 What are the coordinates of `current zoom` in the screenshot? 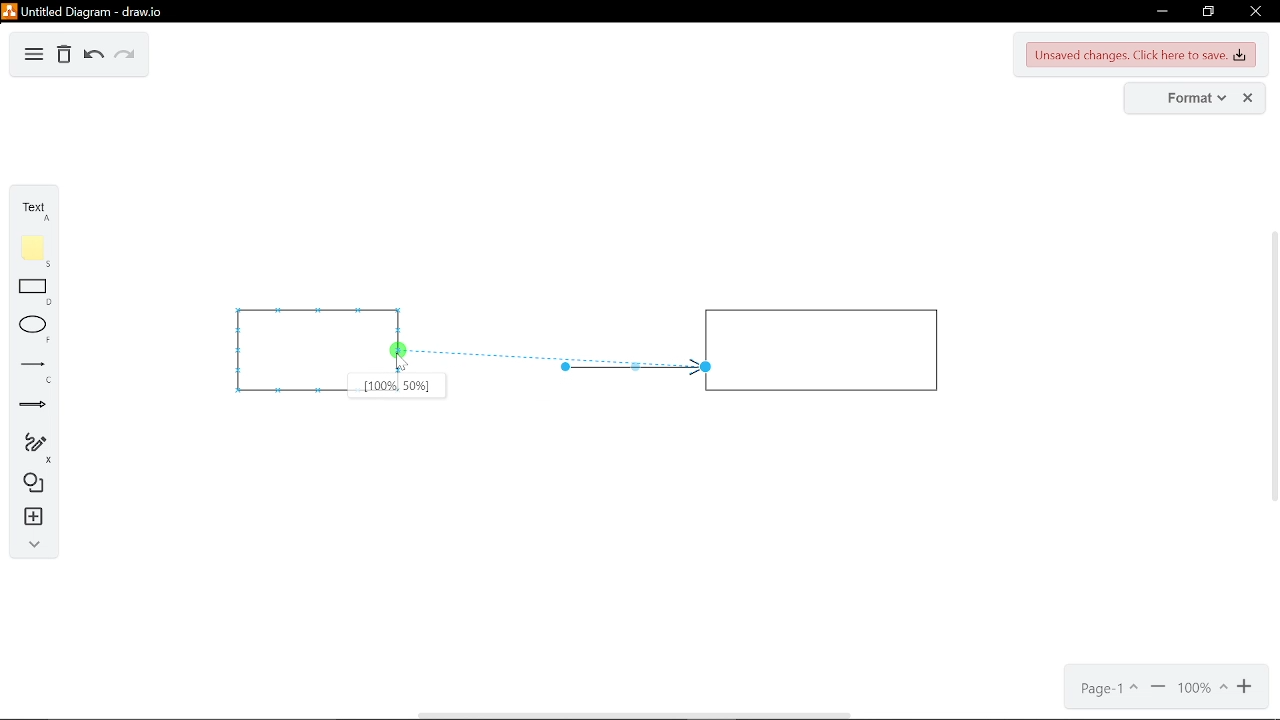 It's located at (1201, 689).